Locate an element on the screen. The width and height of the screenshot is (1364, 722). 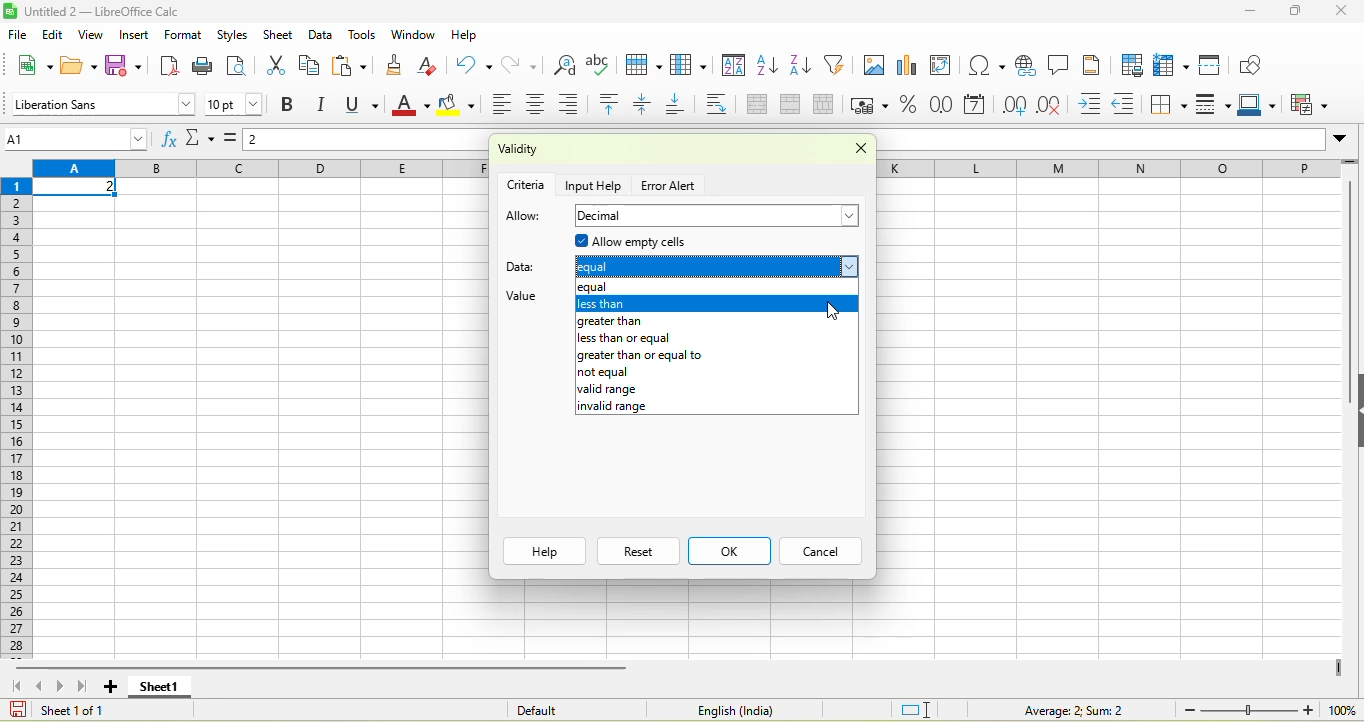
ok is located at coordinates (729, 551).